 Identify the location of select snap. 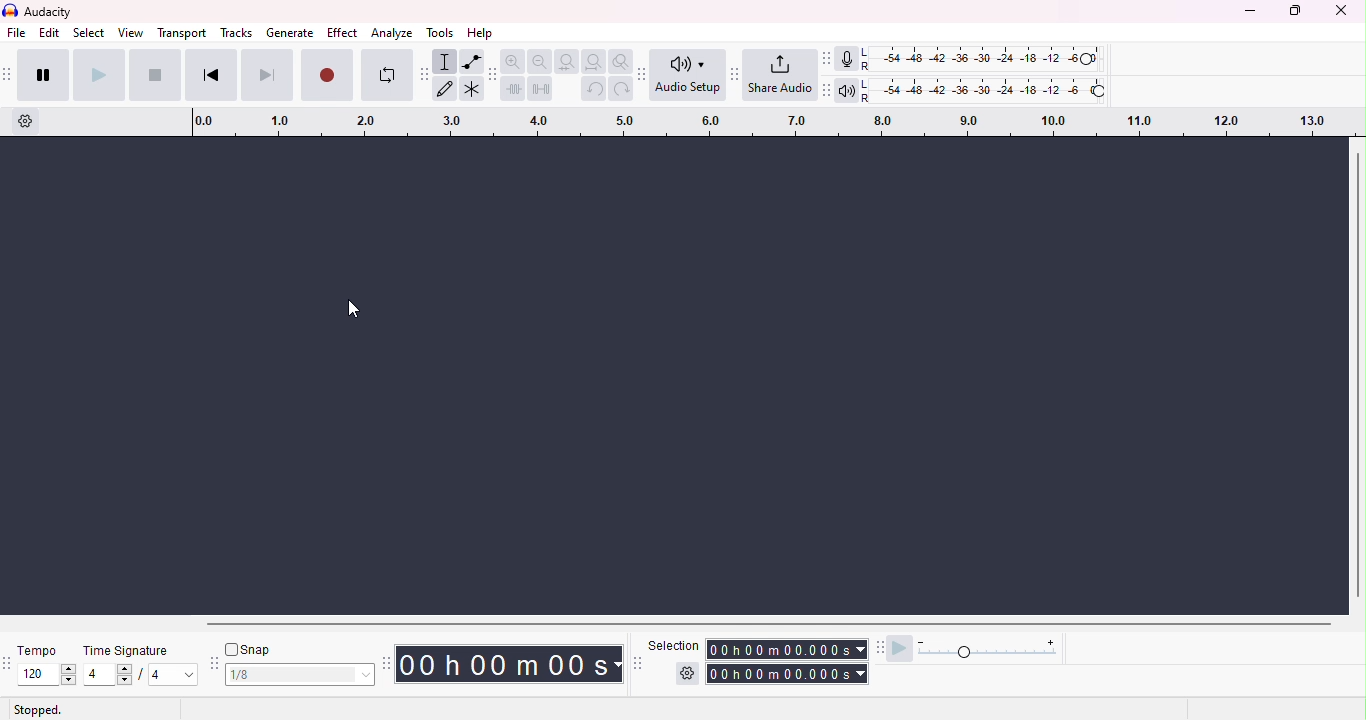
(302, 675).